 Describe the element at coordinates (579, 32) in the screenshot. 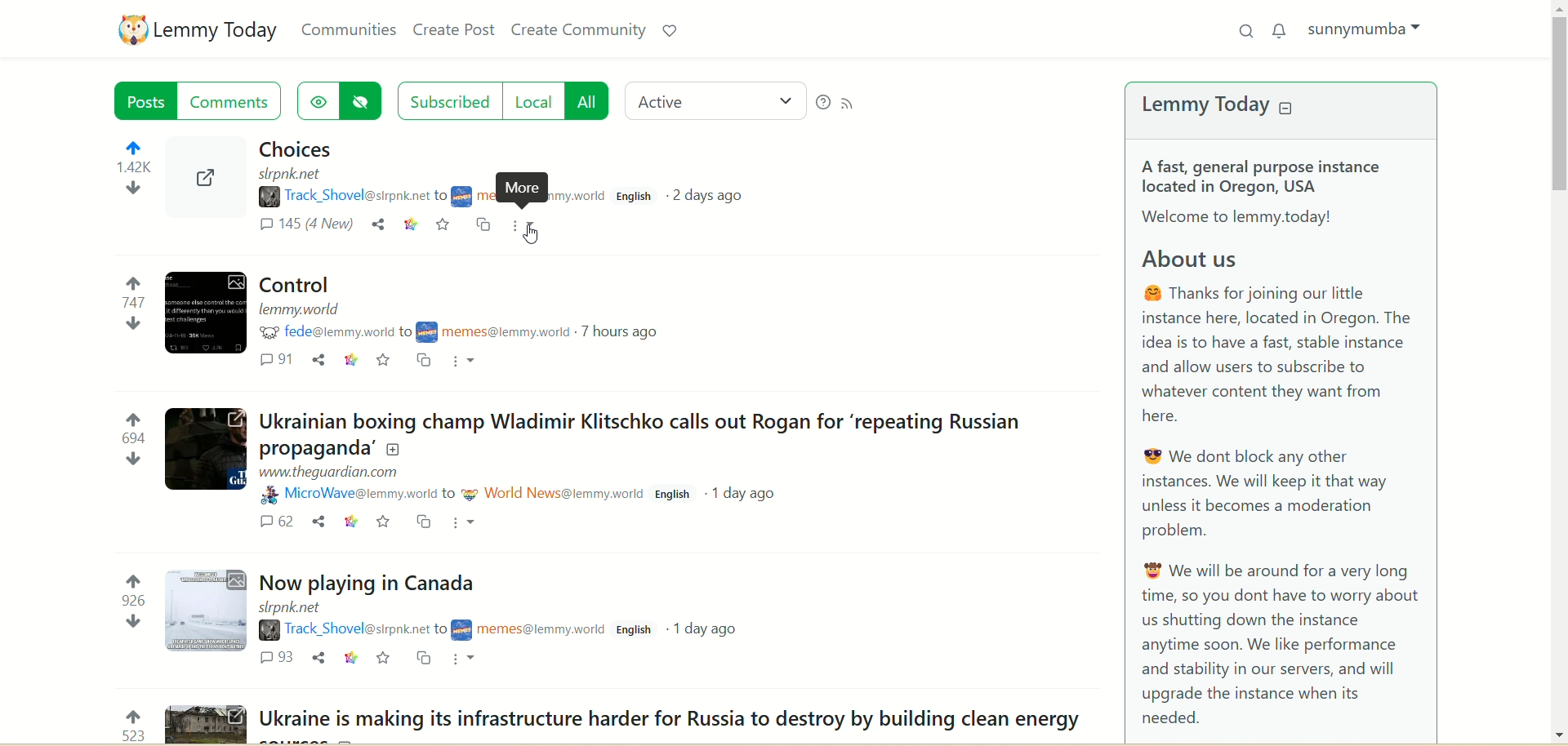

I see `create community` at that location.